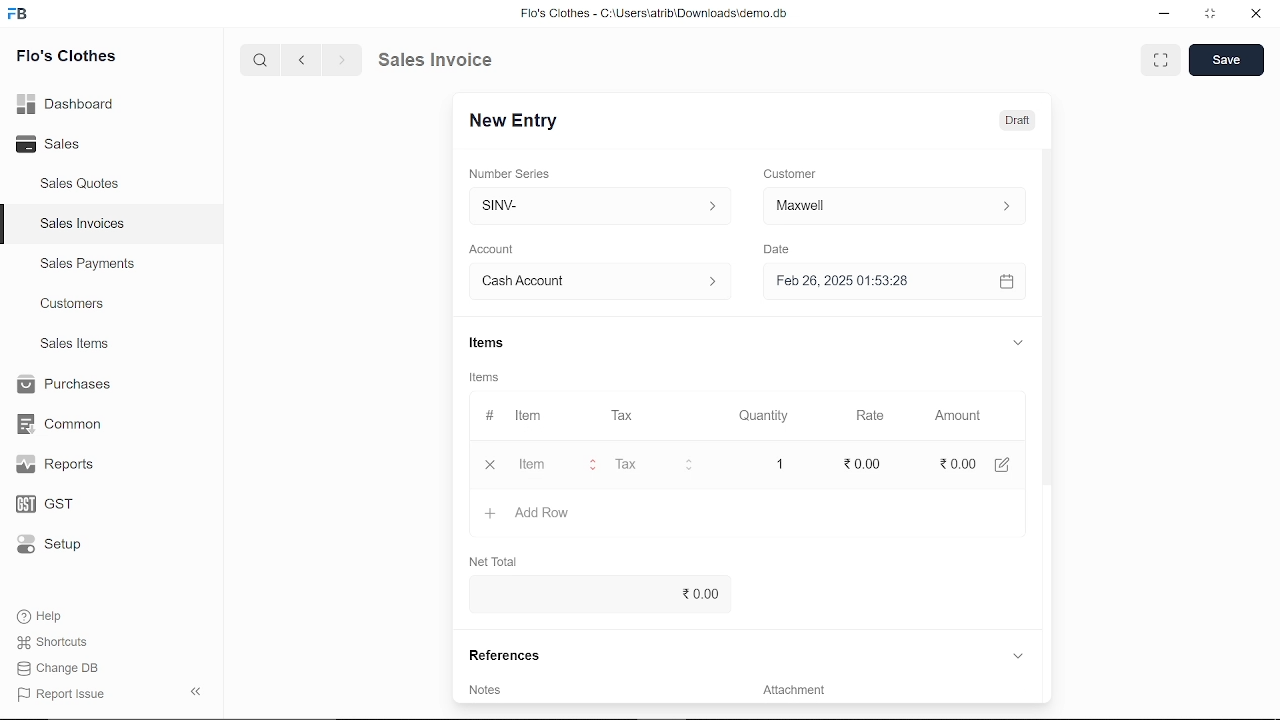  Describe the element at coordinates (759, 417) in the screenshot. I see `Quantity` at that location.